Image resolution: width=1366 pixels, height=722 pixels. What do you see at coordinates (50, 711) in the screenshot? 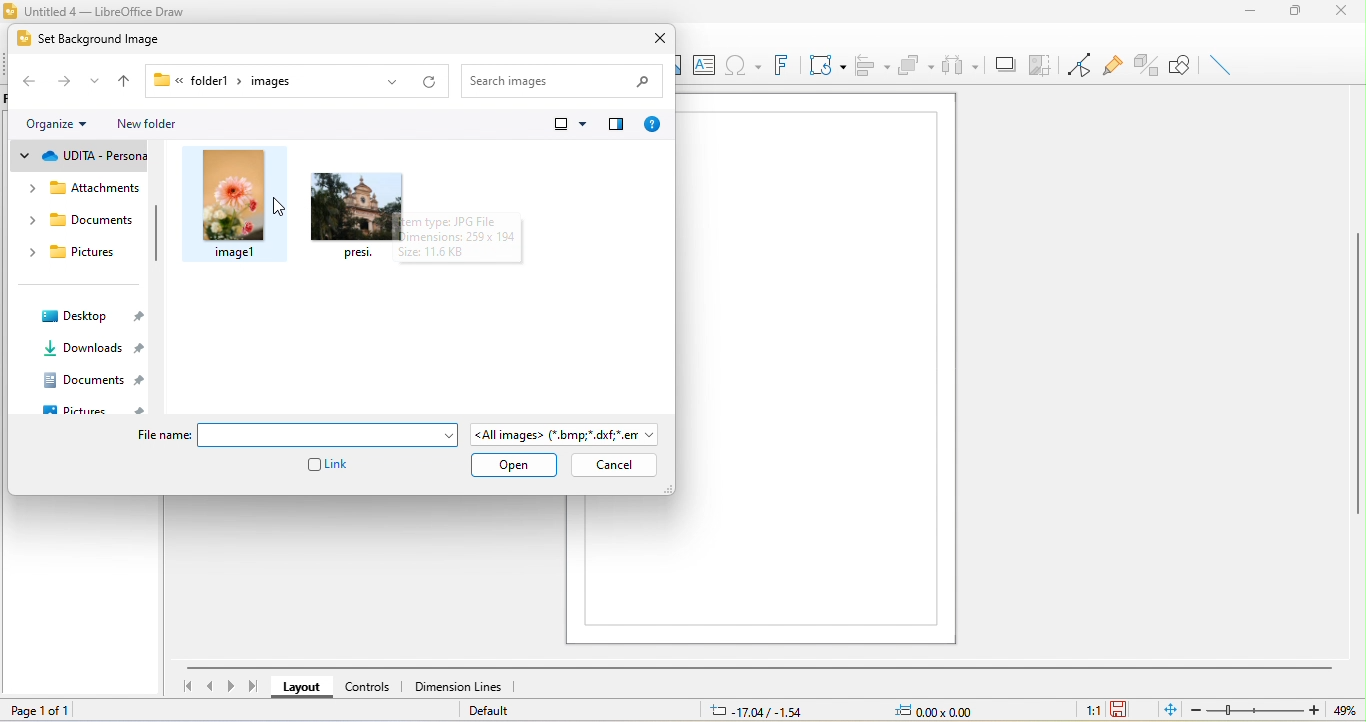
I see `page 1 of 1` at bounding box center [50, 711].